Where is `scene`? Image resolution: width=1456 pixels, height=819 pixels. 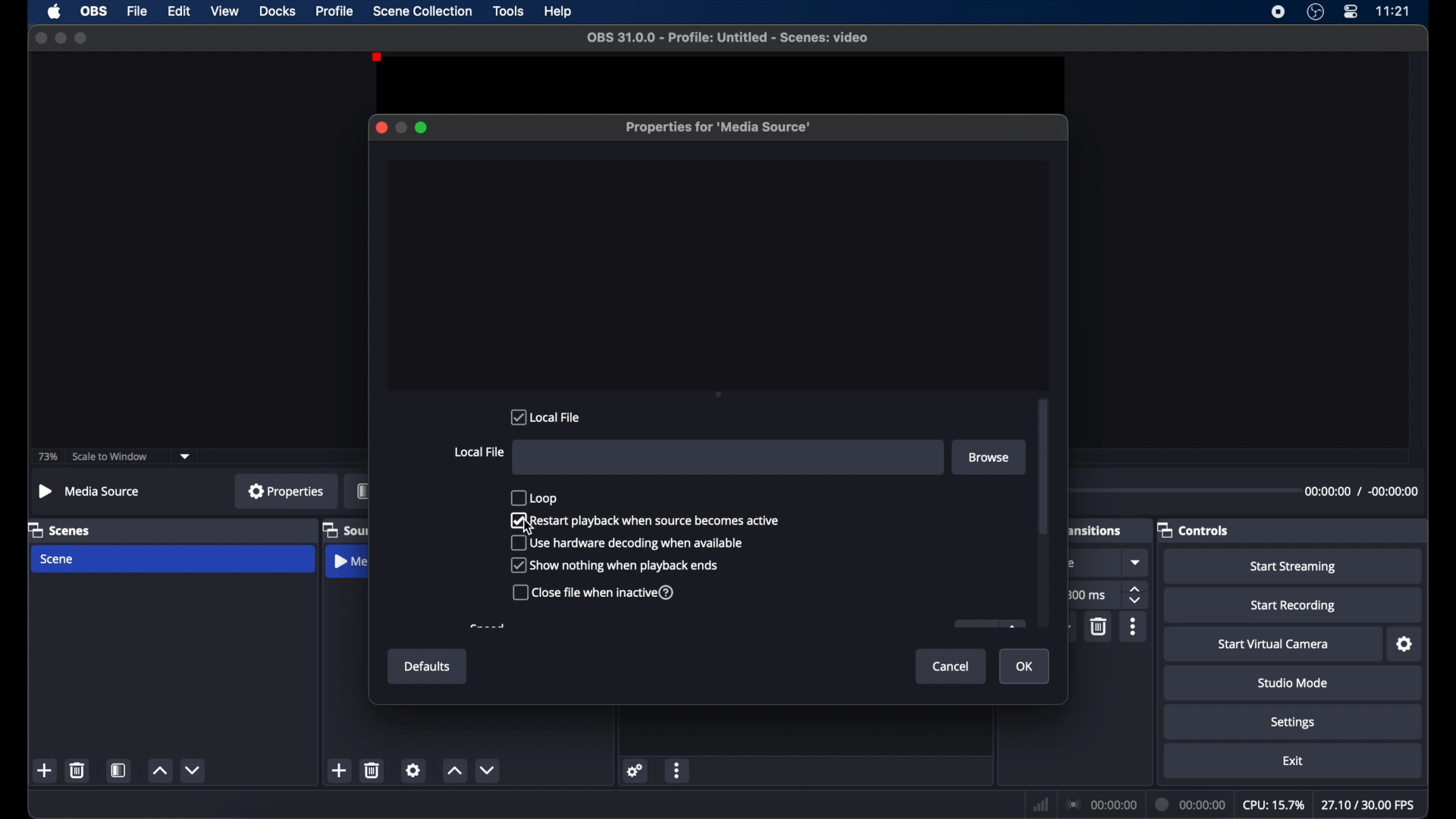
scene is located at coordinates (59, 560).